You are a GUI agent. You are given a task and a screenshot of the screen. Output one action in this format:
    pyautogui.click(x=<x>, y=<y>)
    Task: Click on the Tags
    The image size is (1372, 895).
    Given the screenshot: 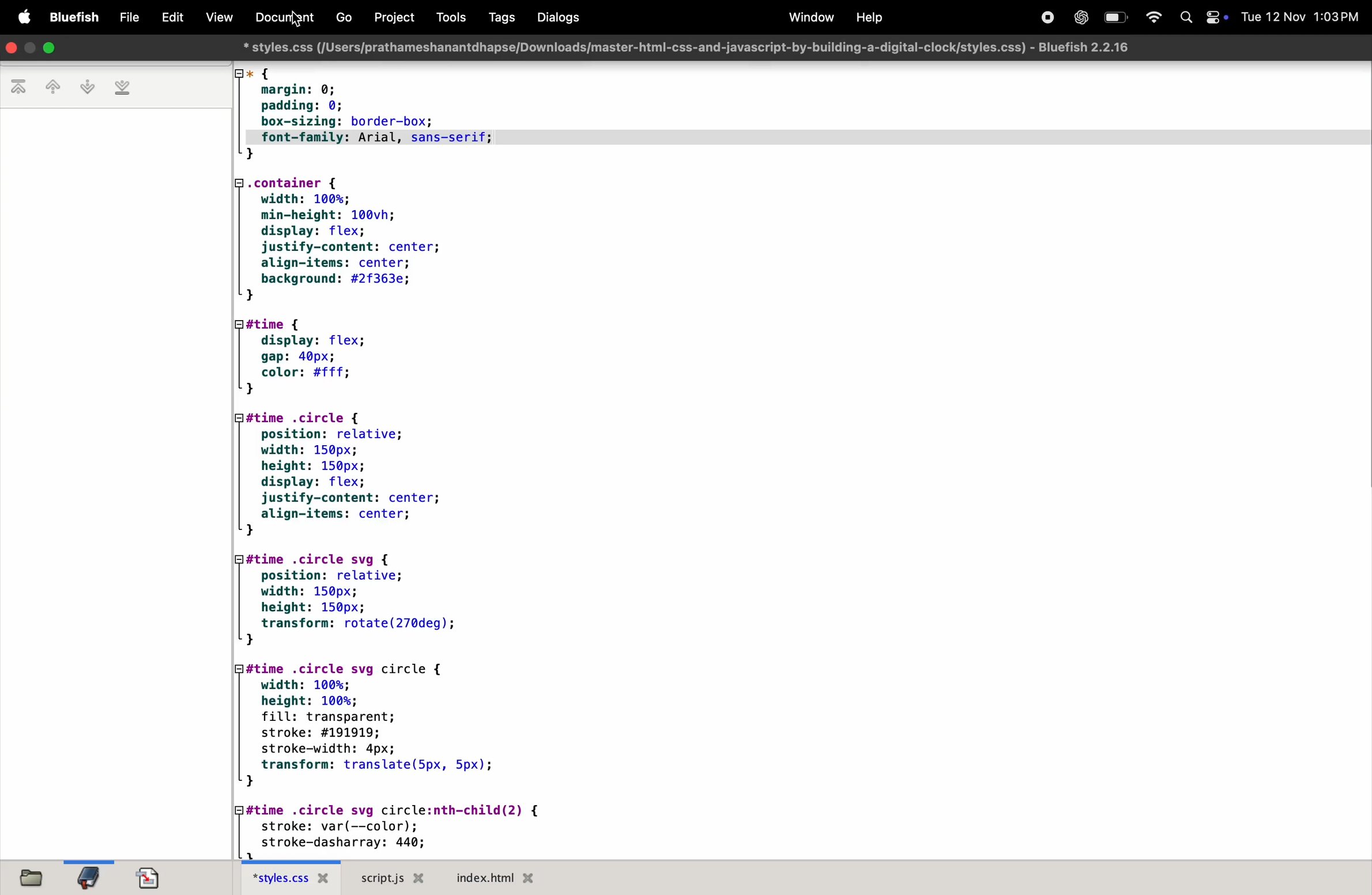 What is the action you would take?
    pyautogui.click(x=497, y=18)
    